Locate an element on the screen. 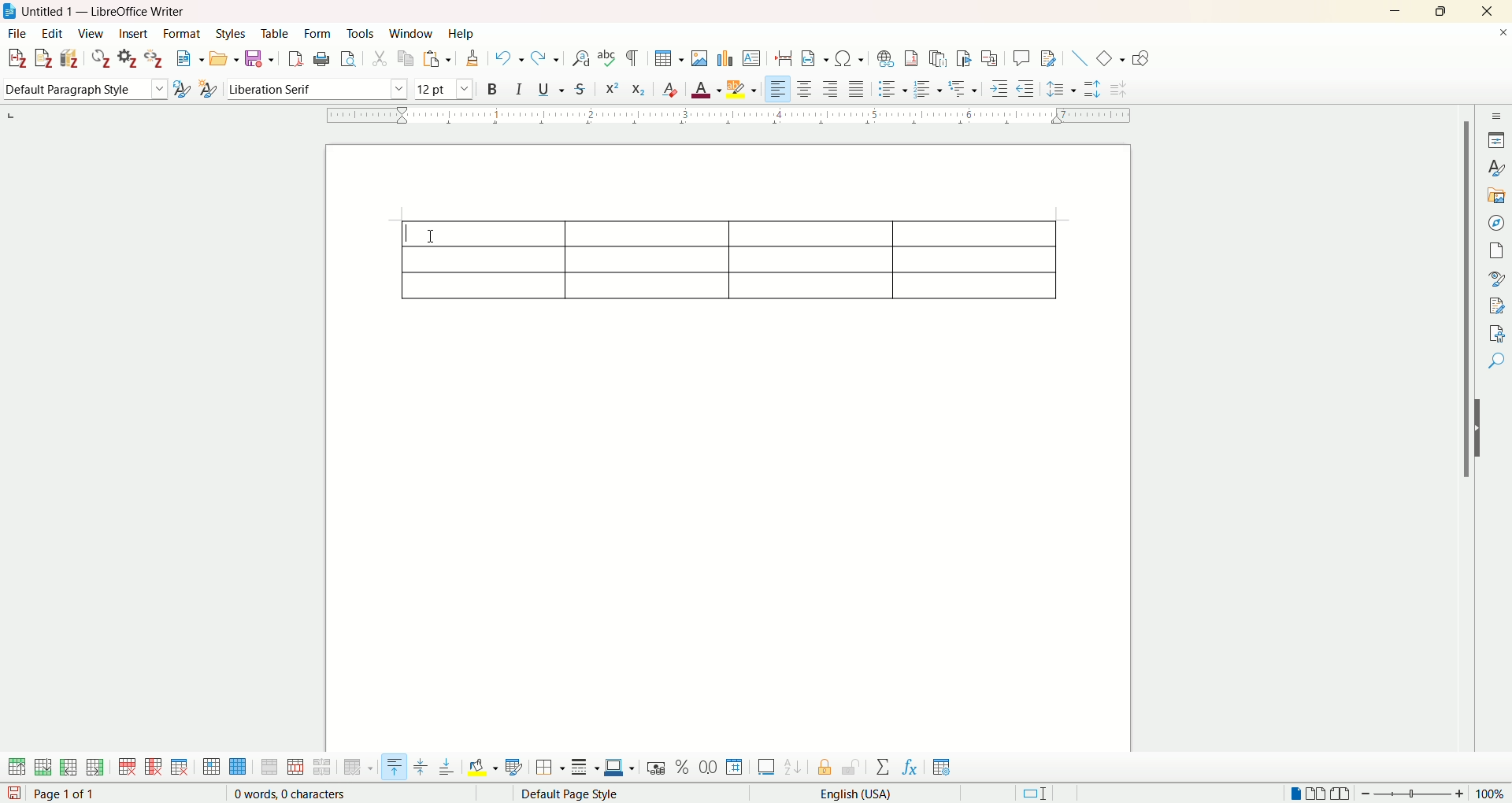 This screenshot has width=1512, height=803. split cell is located at coordinates (295, 768).